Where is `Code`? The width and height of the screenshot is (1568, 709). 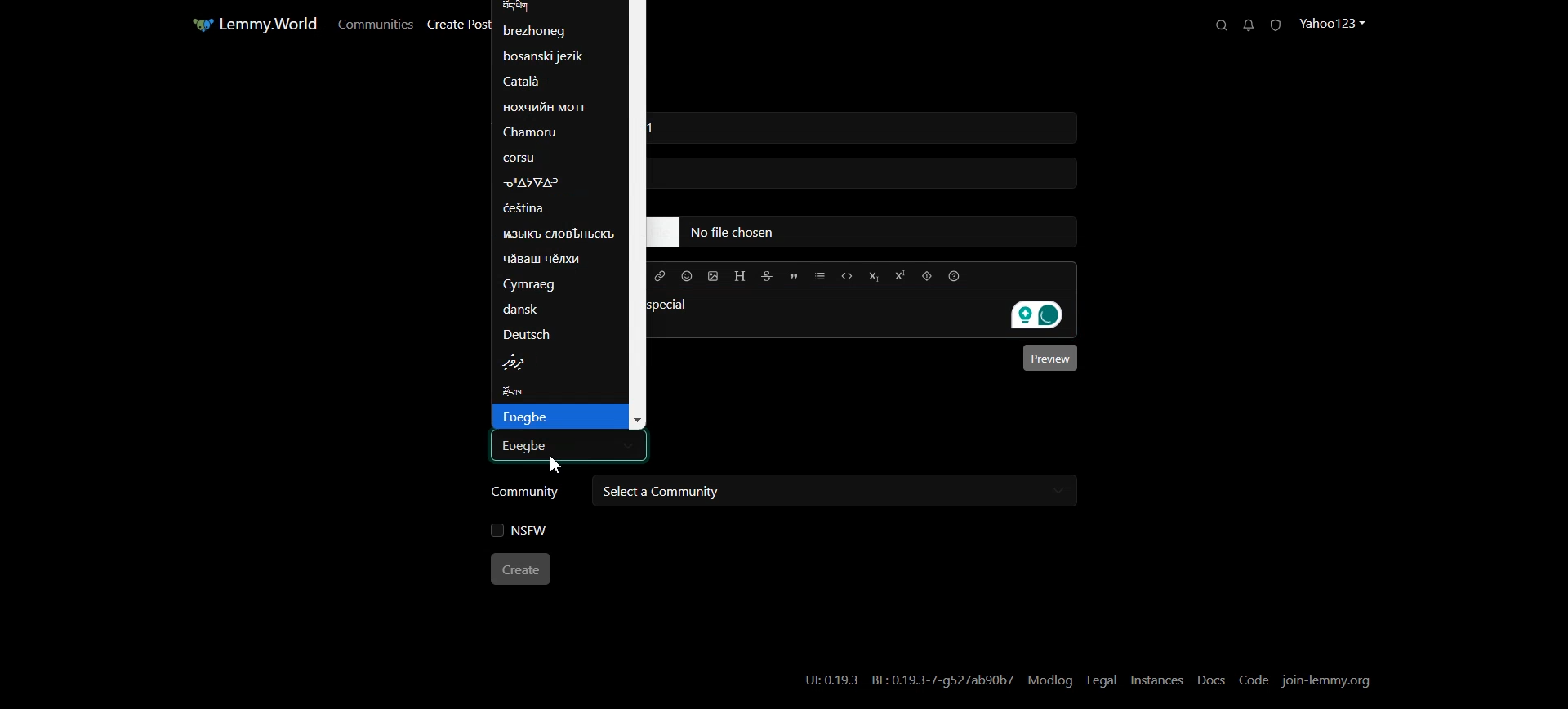
Code is located at coordinates (1255, 680).